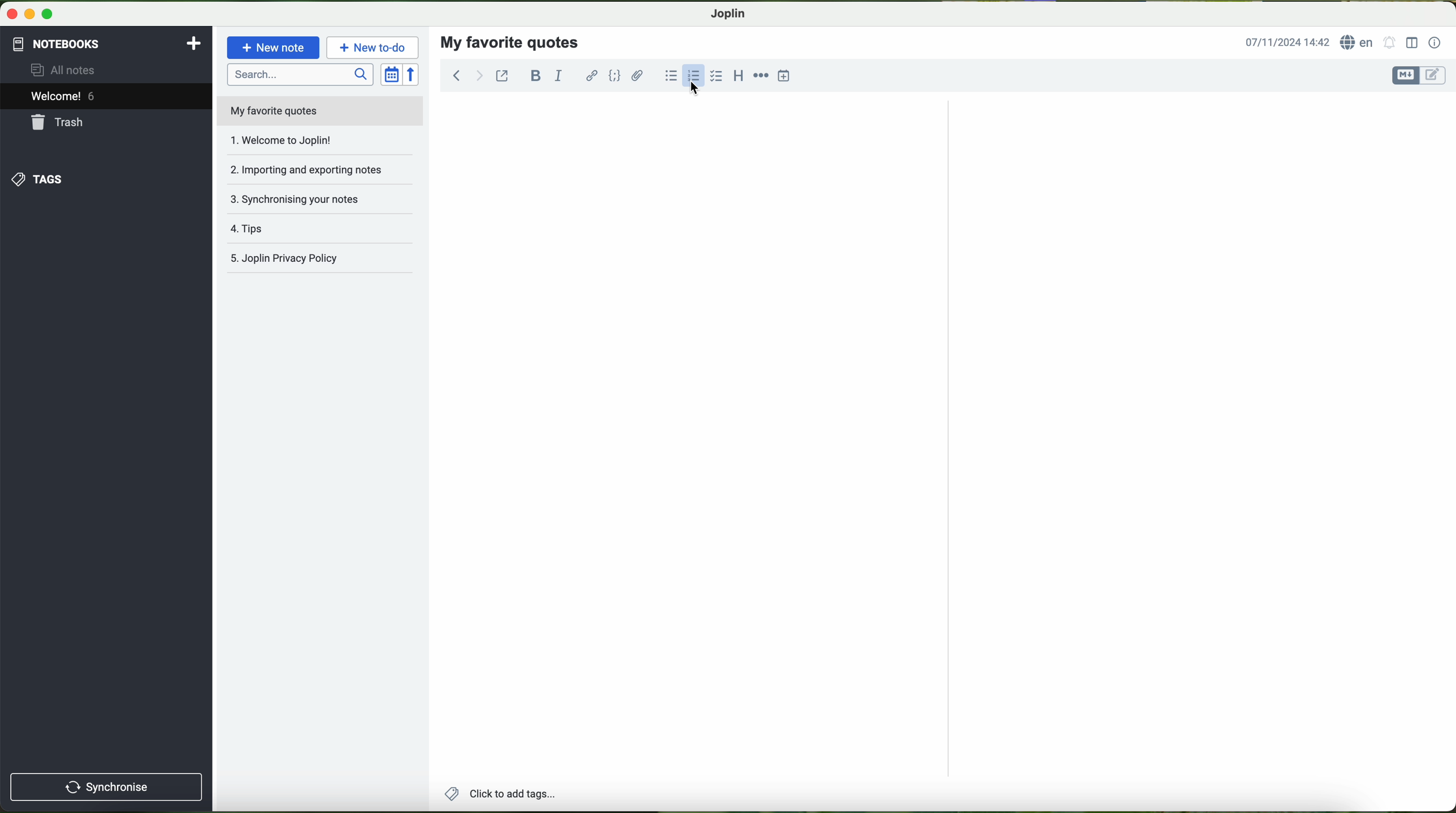 Image resolution: width=1456 pixels, height=813 pixels. What do you see at coordinates (318, 198) in the screenshot?
I see `synchronising your notes` at bounding box center [318, 198].